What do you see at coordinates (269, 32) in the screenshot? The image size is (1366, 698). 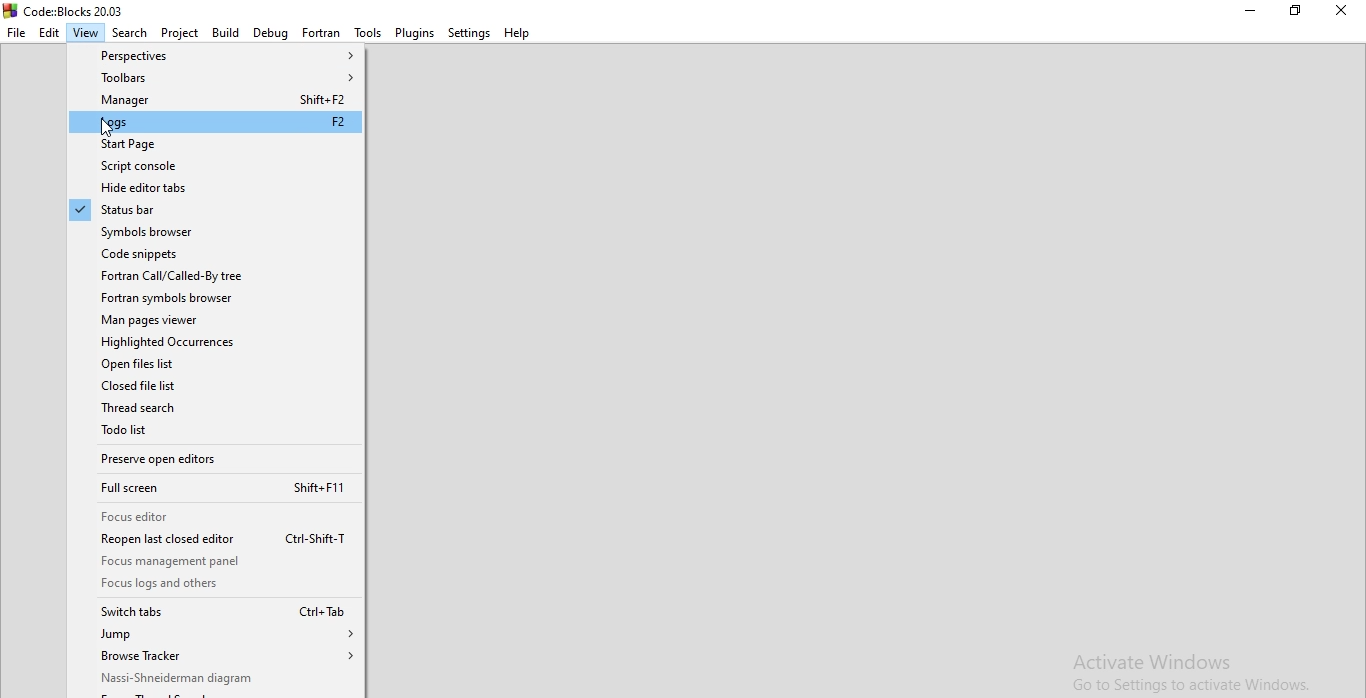 I see `Debug ` at bounding box center [269, 32].